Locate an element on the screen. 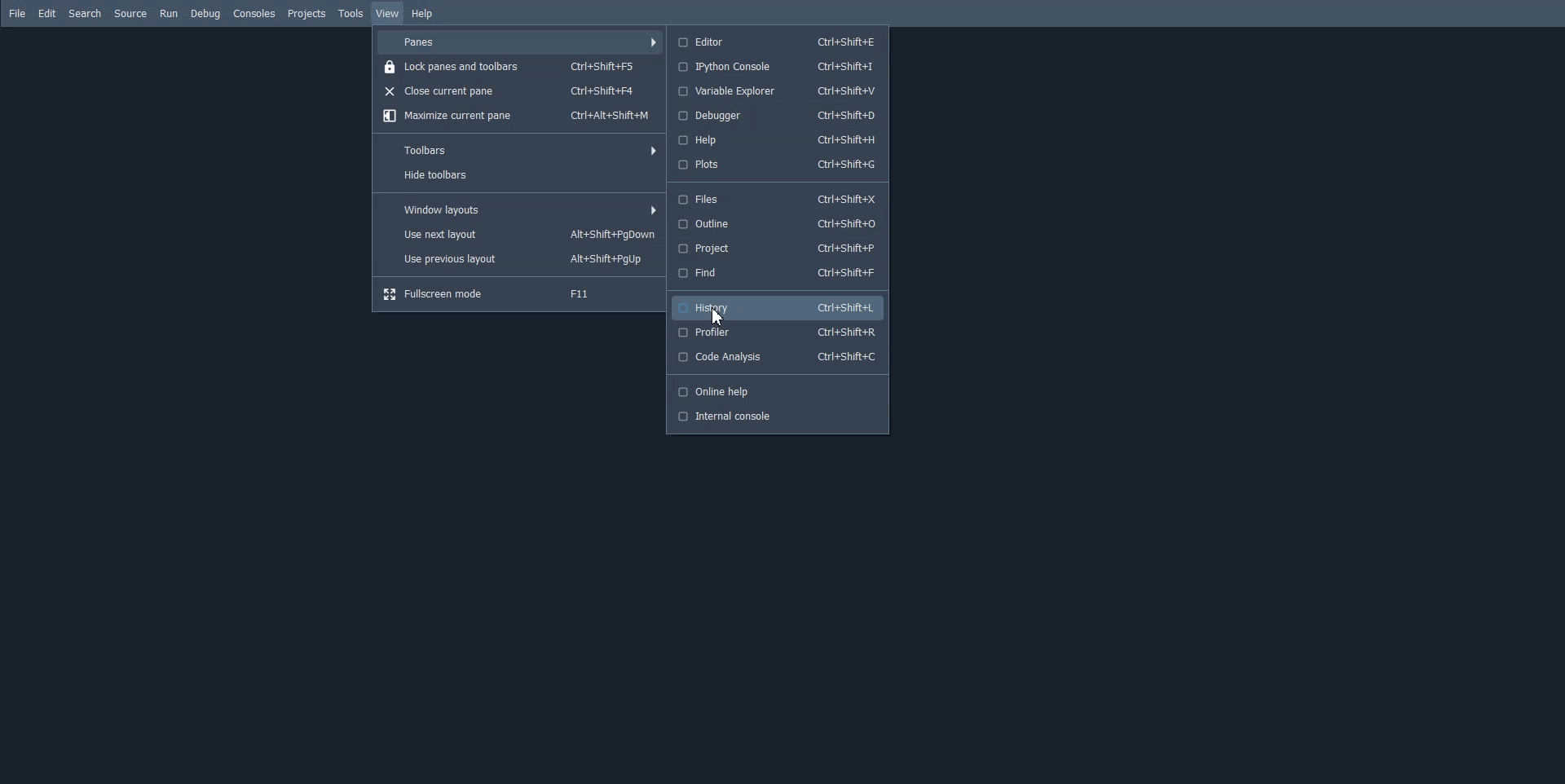  Debug is located at coordinates (205, 14).